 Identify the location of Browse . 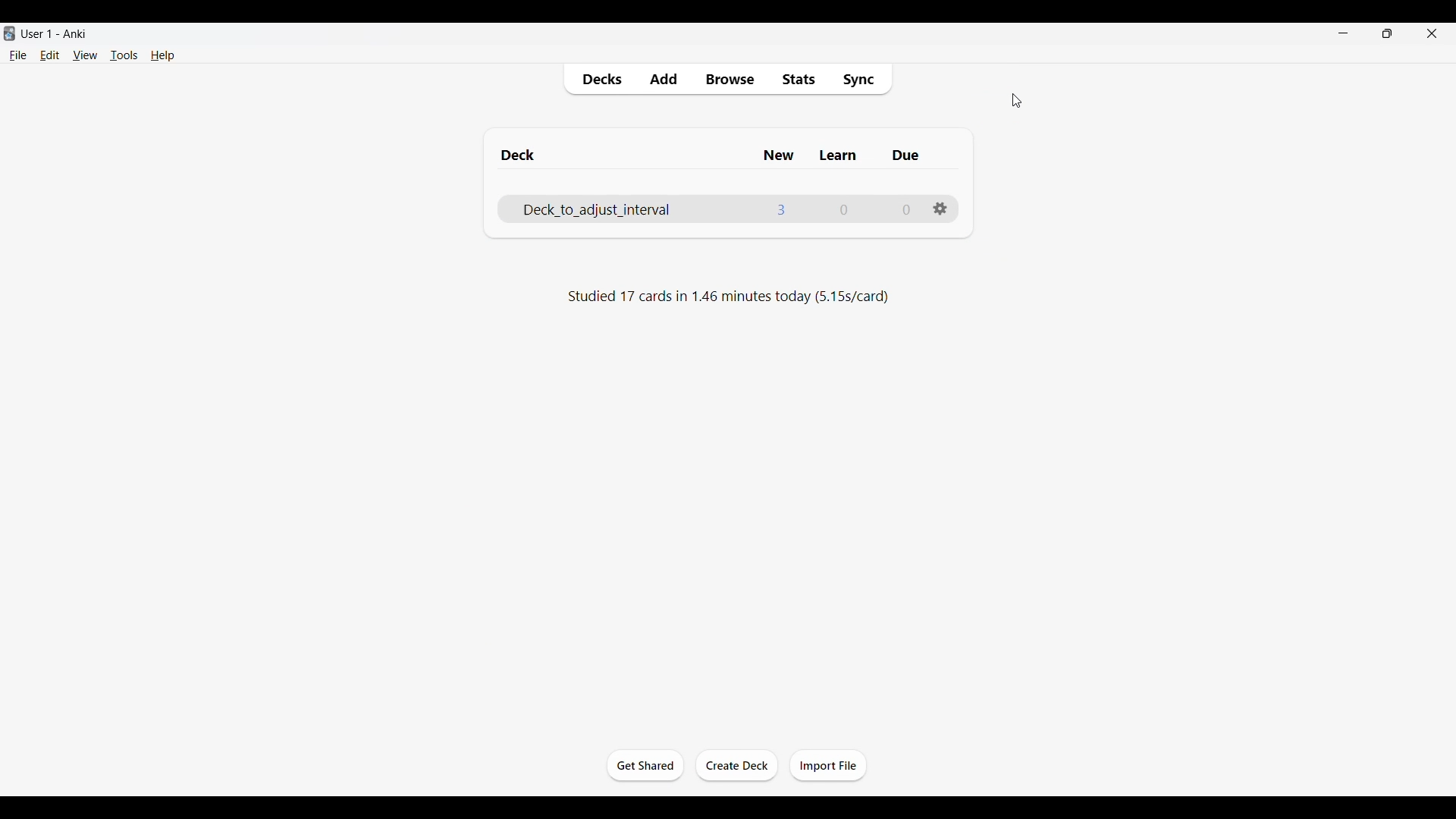
(728, 79).